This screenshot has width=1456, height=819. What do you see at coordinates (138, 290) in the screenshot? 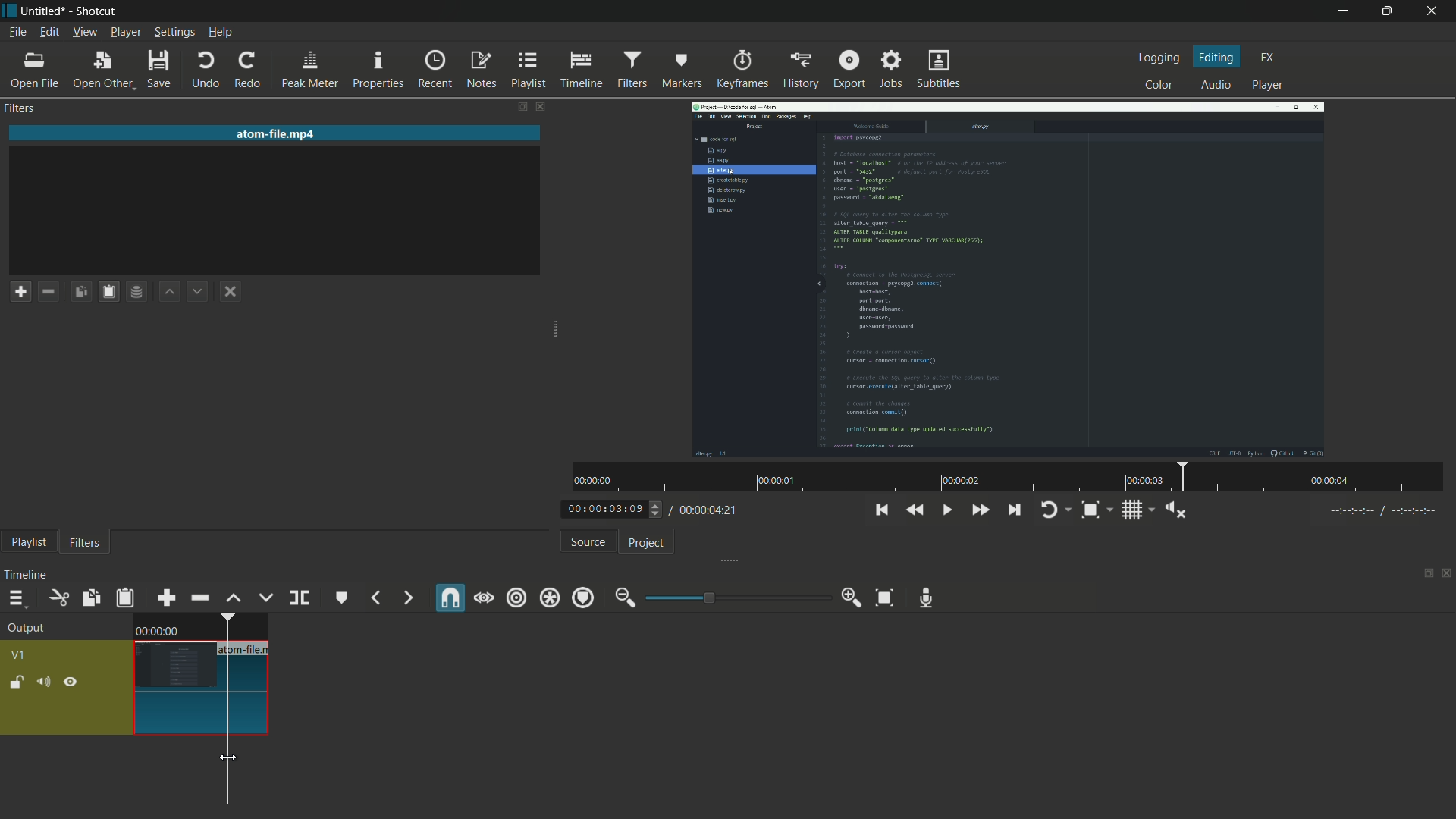
I see `save filter set` at bounding box center [138, 290].